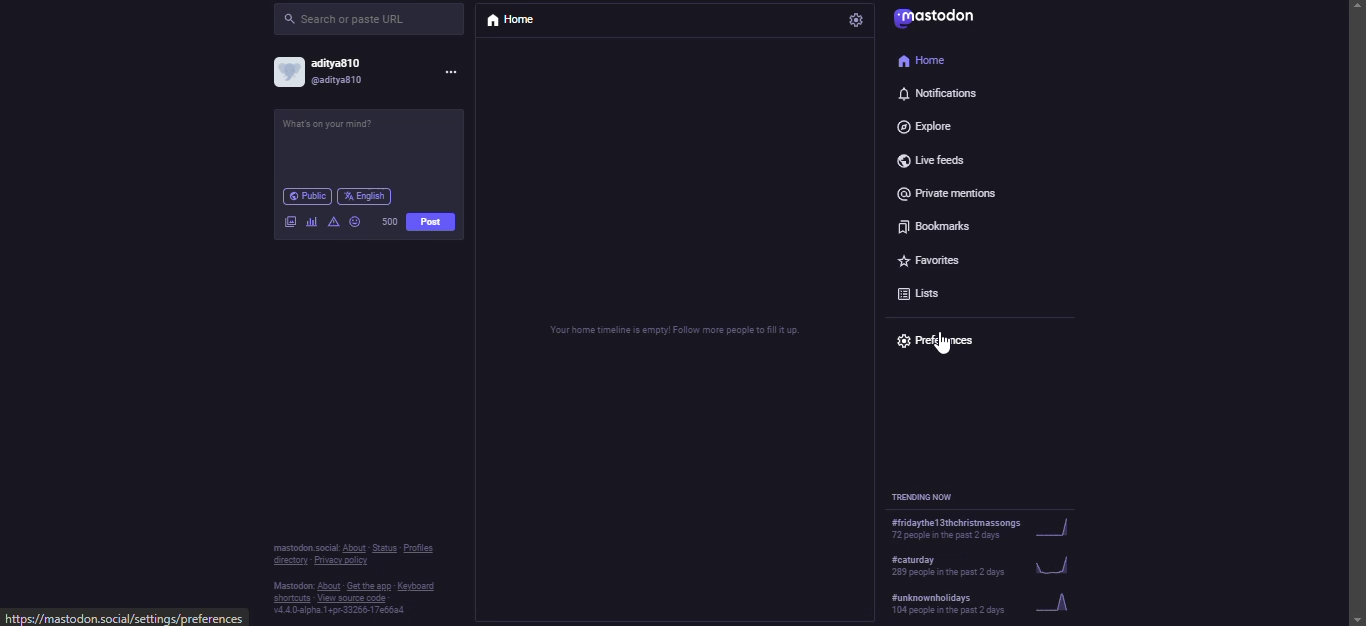 This screenshot has height=626, width=1366. What do you see at coordinates (355, 219) in the screenshot?
I see `emoji` at bounding box center [355, 219].